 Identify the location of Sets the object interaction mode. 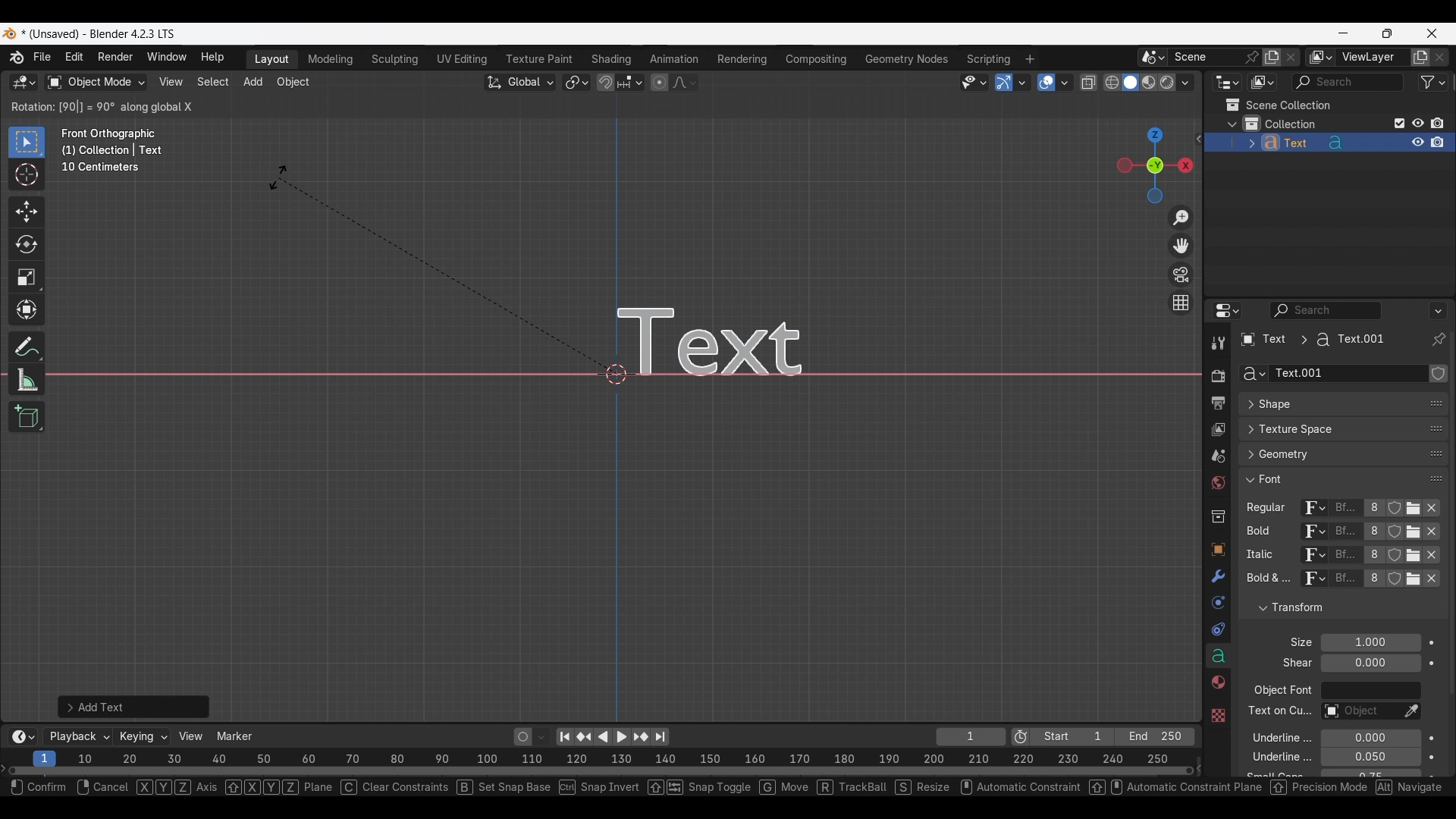
(96, 83).